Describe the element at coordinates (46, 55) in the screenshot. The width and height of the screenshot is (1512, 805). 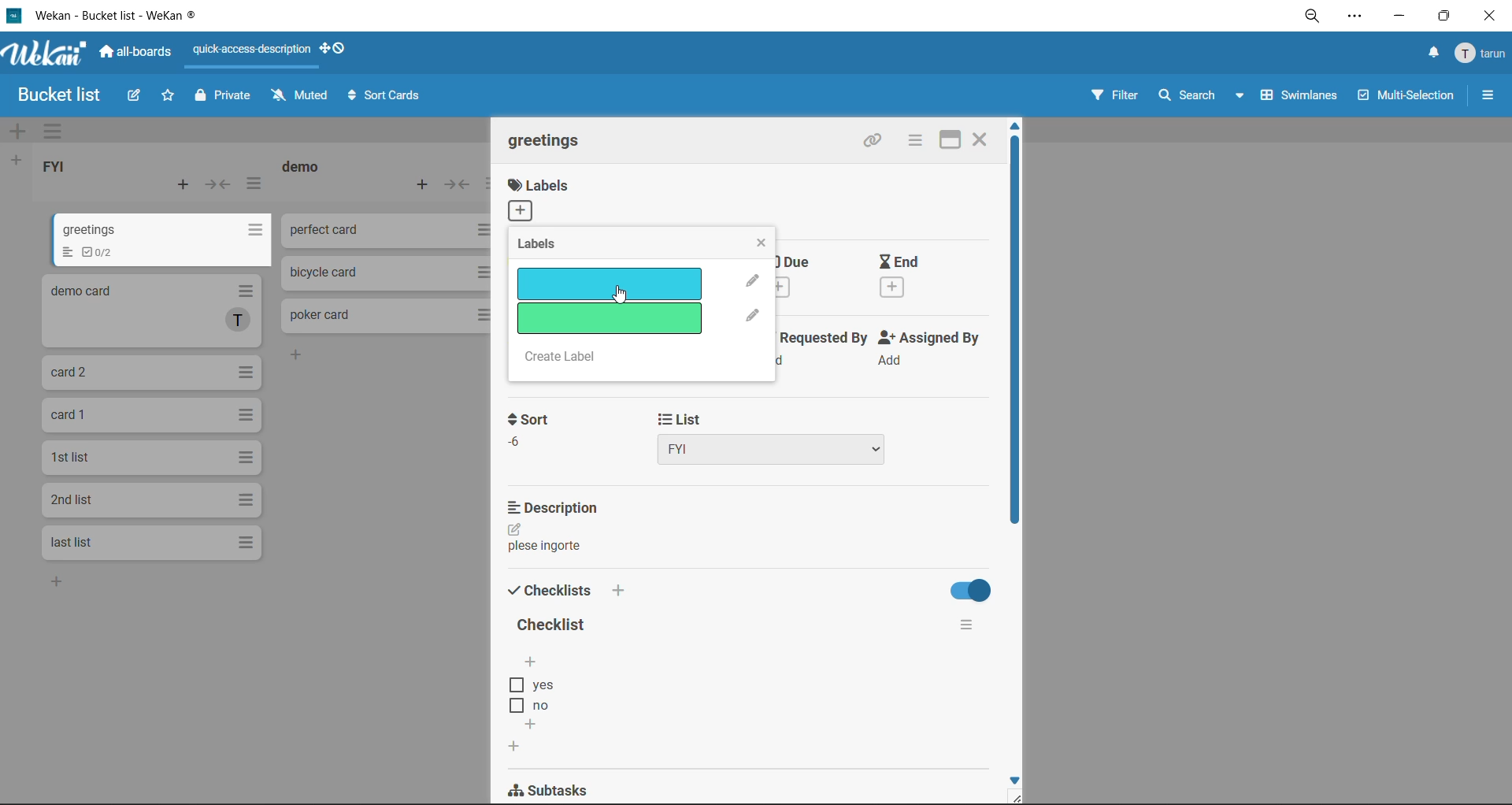
I see `app logo` at that location.